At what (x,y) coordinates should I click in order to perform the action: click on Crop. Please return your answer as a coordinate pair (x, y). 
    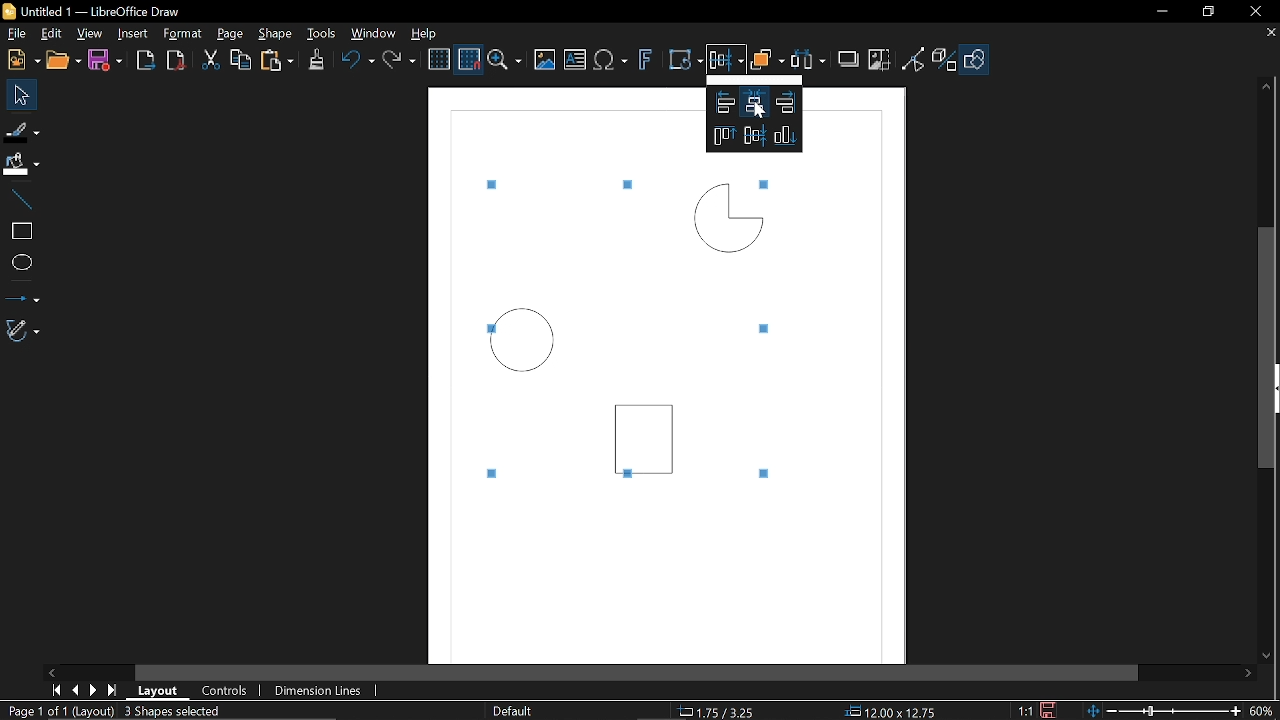
    Looking at the image, I should click on (879, 58).